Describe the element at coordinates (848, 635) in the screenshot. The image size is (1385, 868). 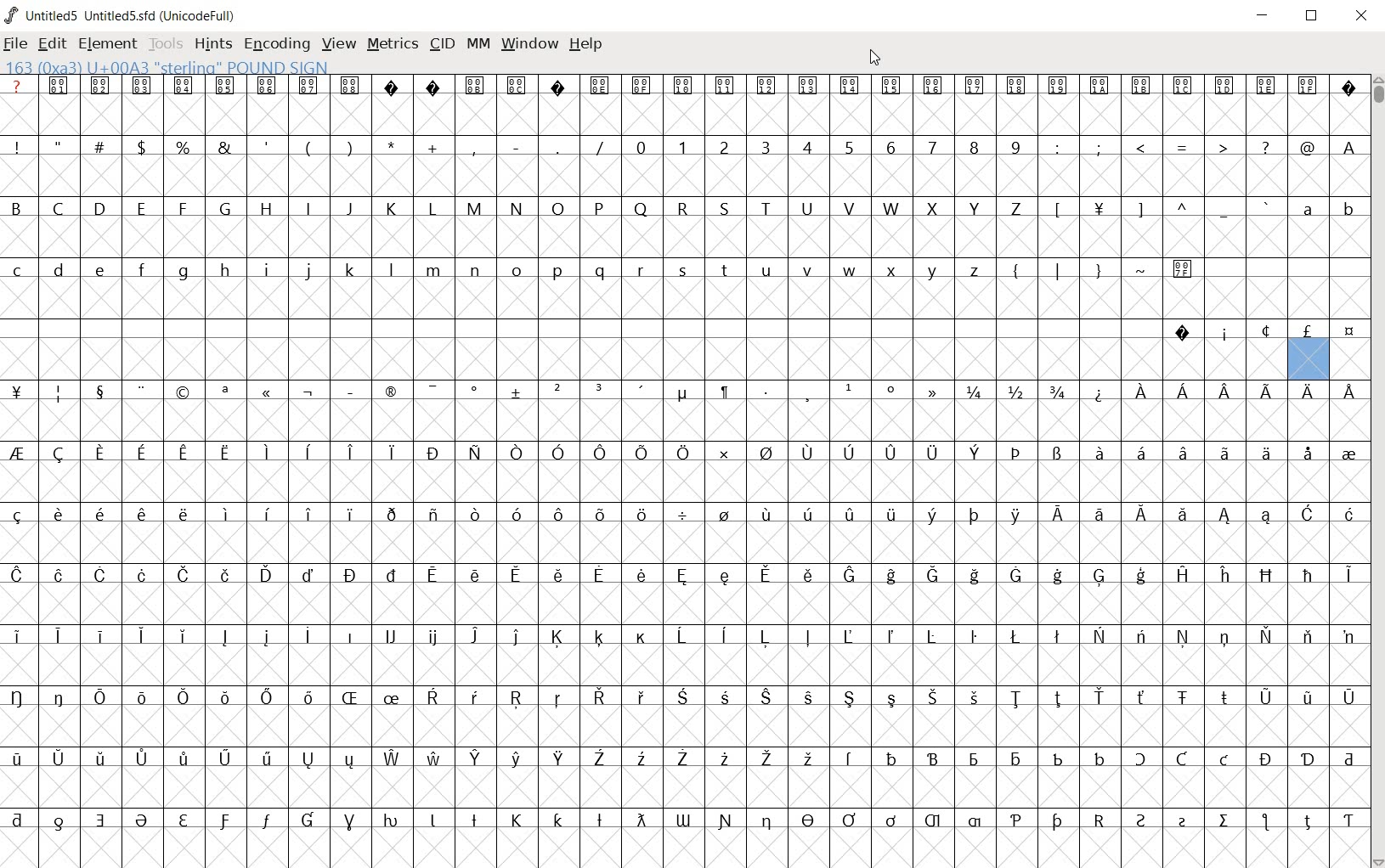
I see `Symbol` at that location.